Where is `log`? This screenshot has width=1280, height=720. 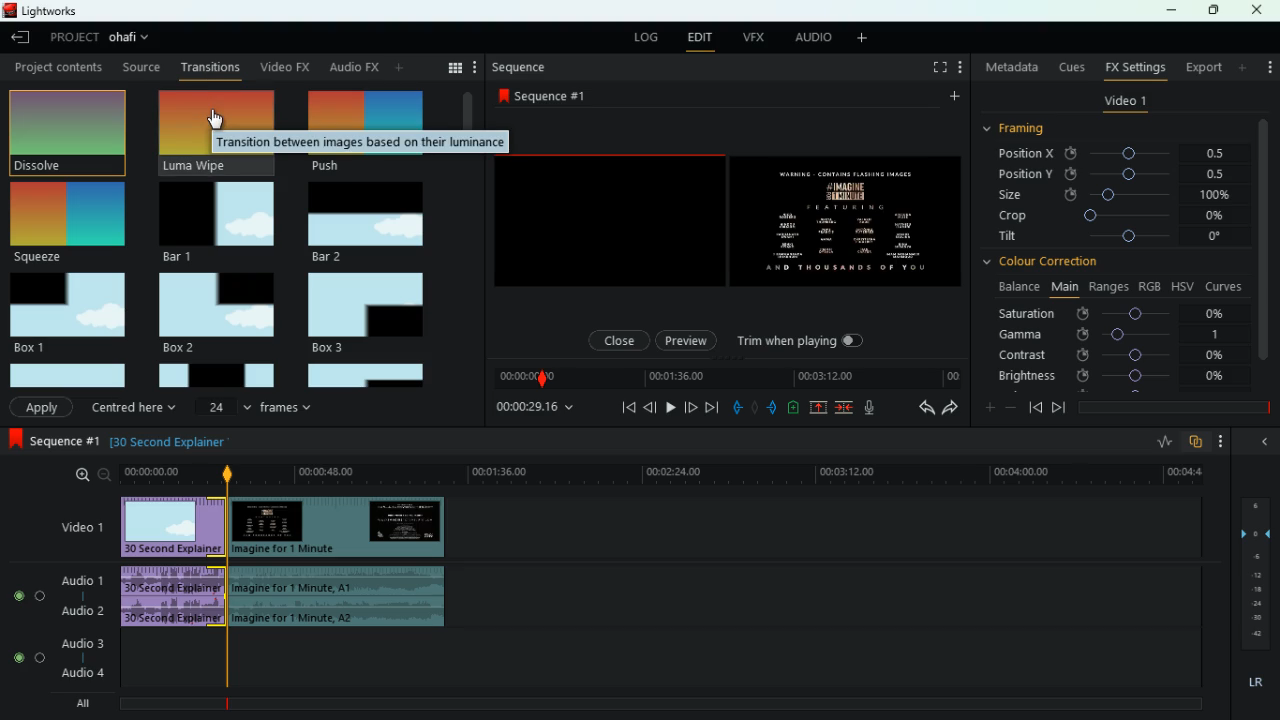 log is located at coordinates (646, 39).